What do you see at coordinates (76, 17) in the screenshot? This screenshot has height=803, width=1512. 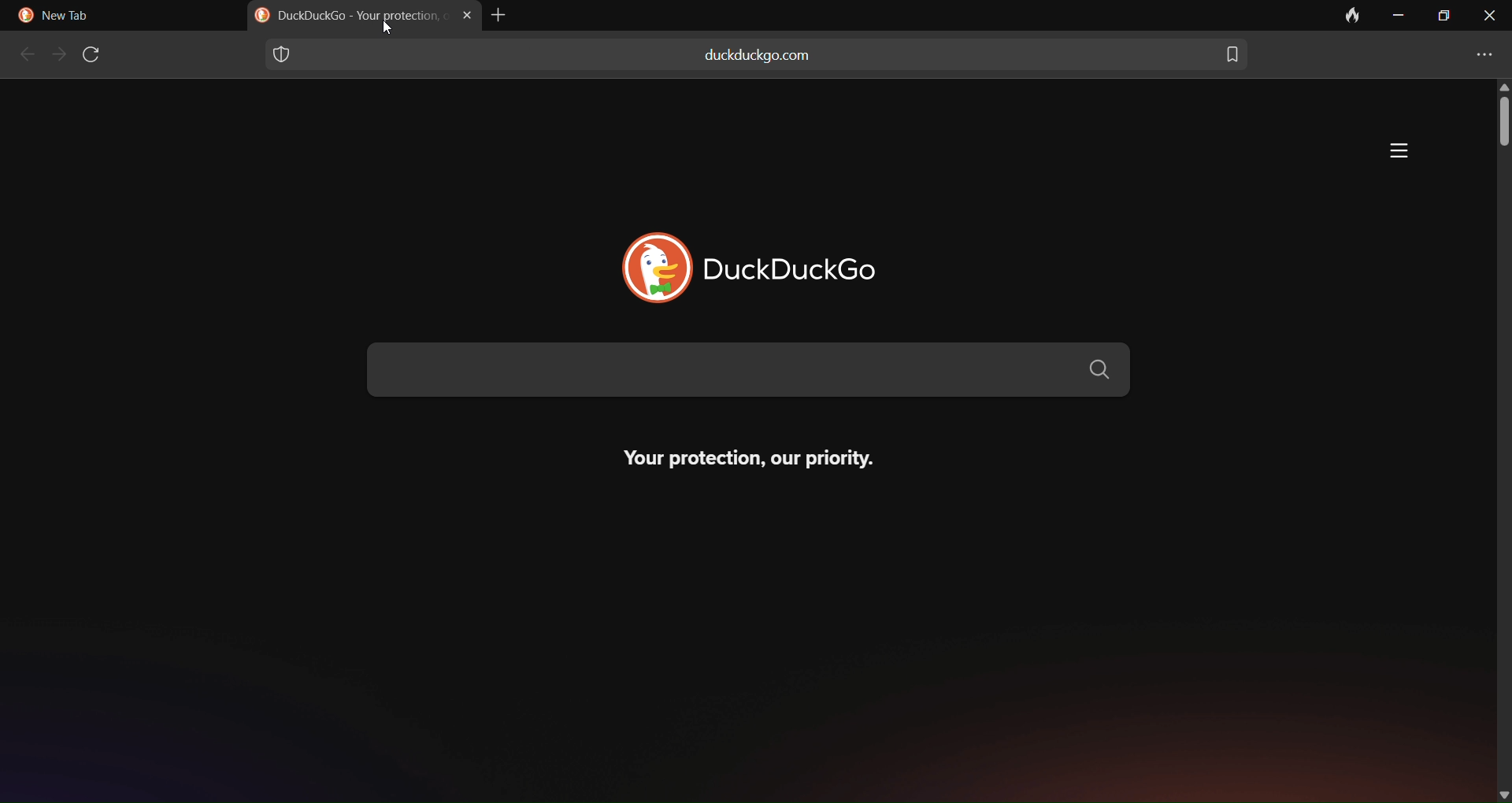 I see `New tab` at bounding box center [76, 17].